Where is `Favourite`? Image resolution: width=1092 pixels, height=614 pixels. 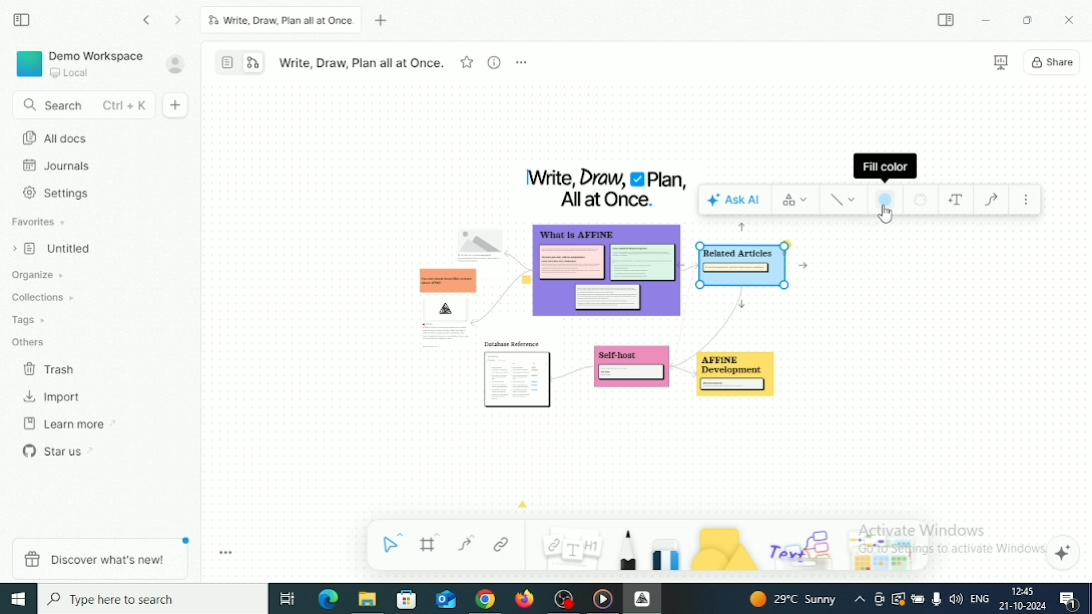 Favourite is located at coordinates (467, 61).